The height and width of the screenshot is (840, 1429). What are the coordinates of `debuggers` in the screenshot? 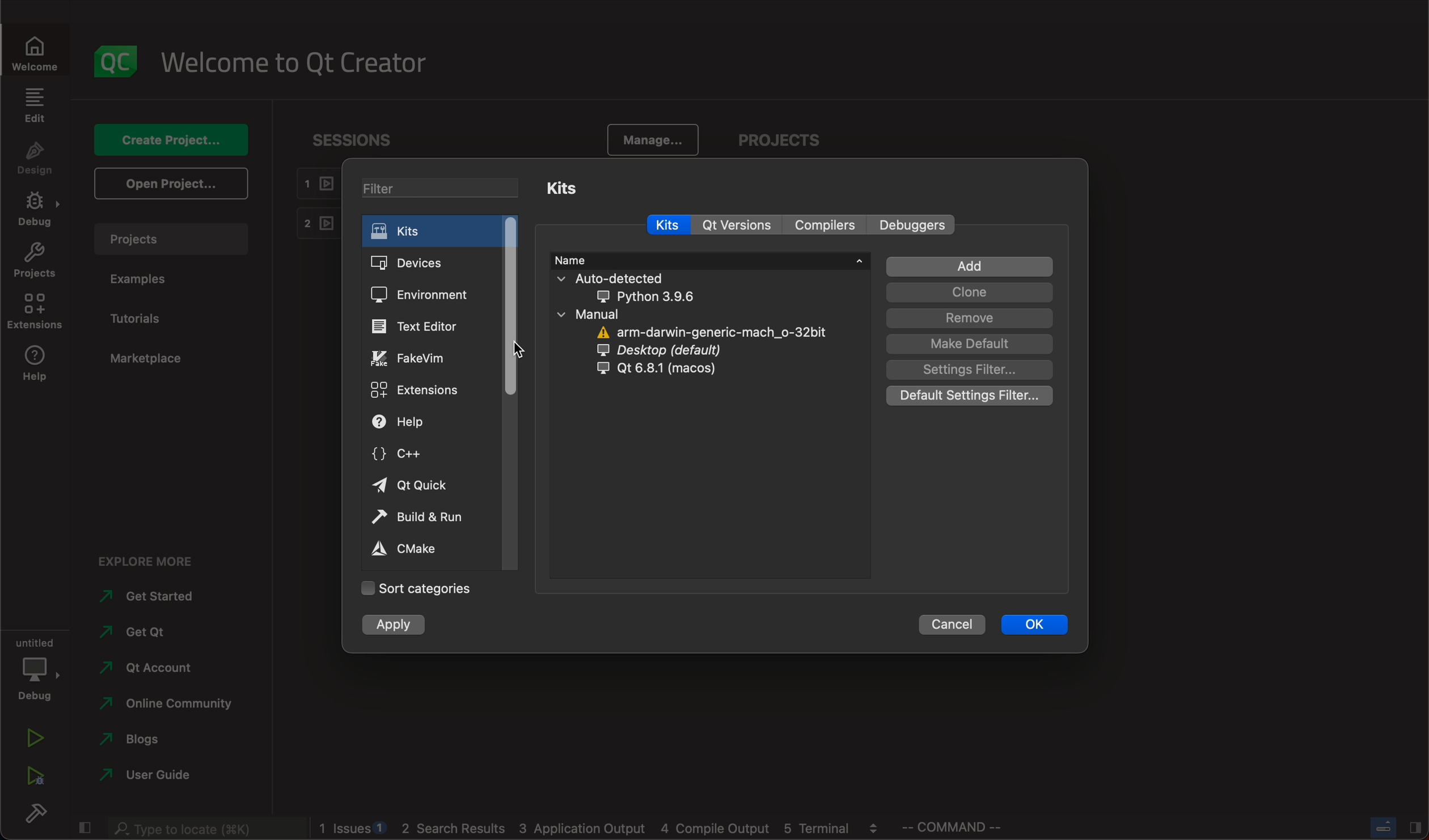 It's located at (914, 224).